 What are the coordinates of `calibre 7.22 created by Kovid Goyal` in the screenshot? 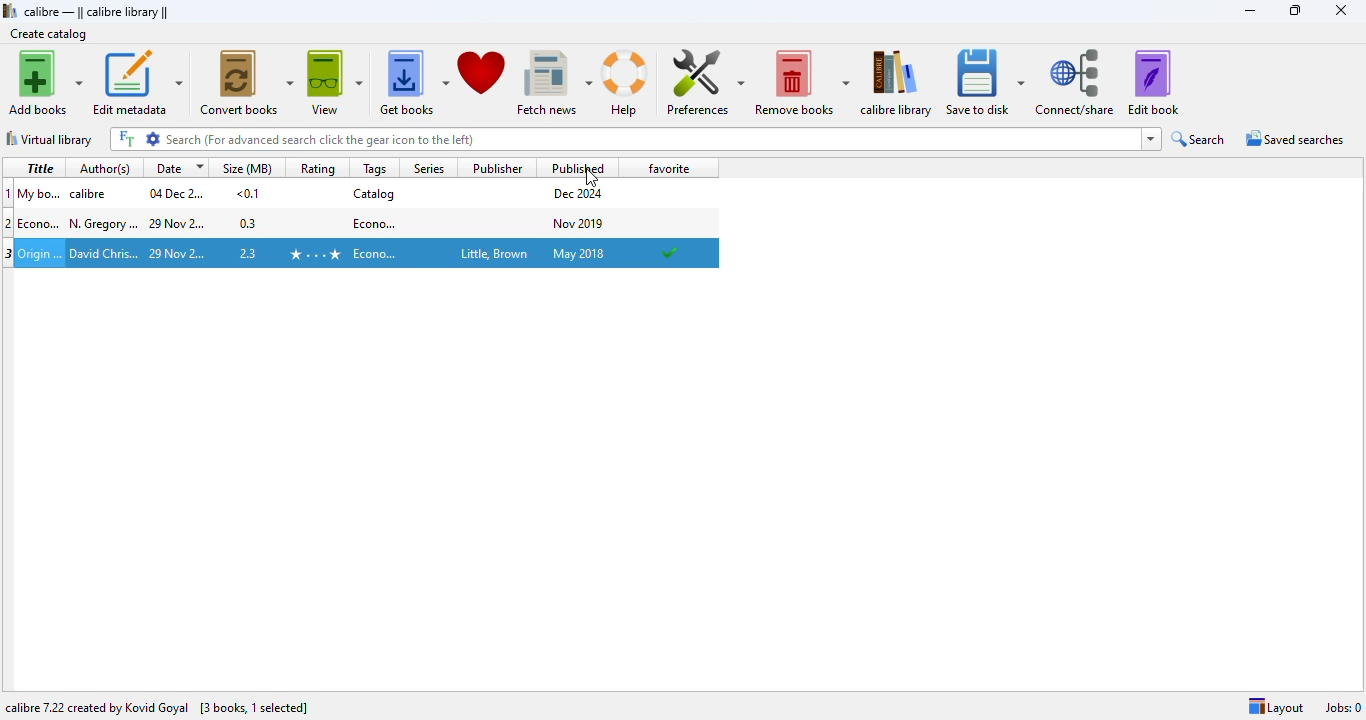 It's located at (97, 708).